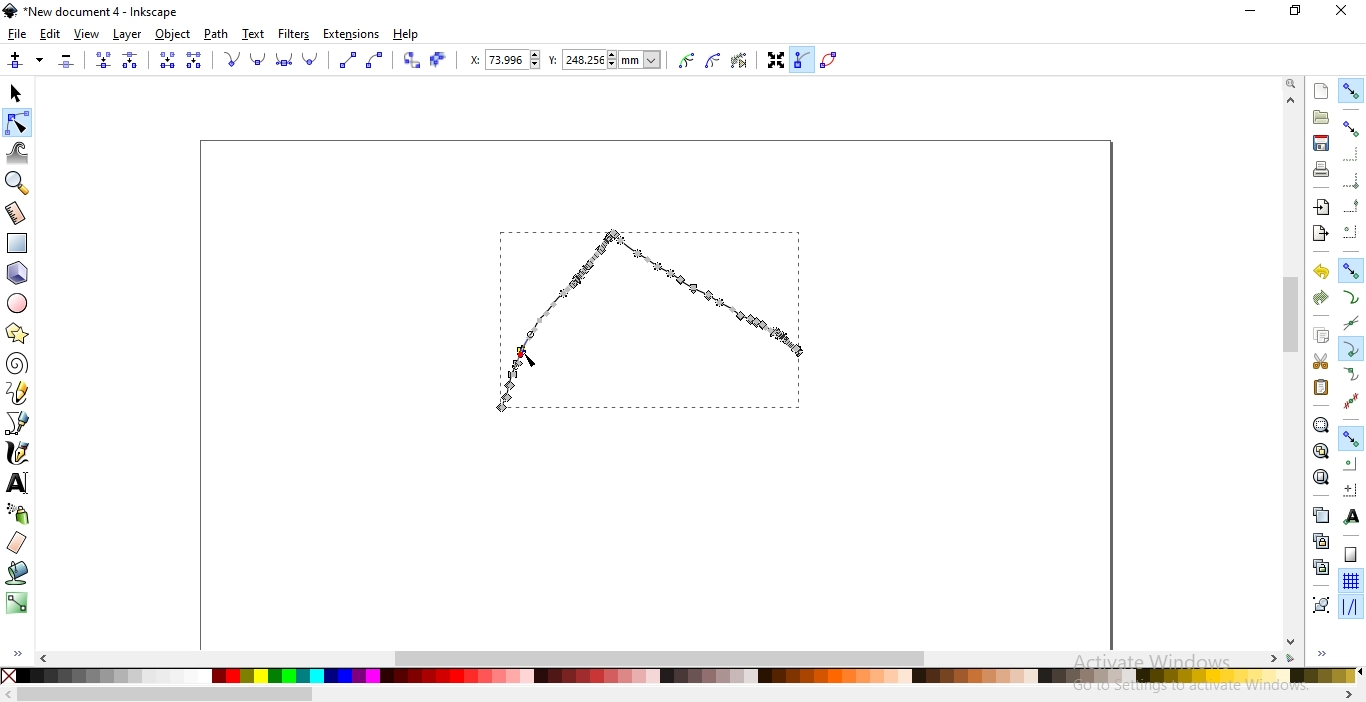  Describe the element at coordinates (663, 656) in the screenshot. I see `scrollbar` at that location.